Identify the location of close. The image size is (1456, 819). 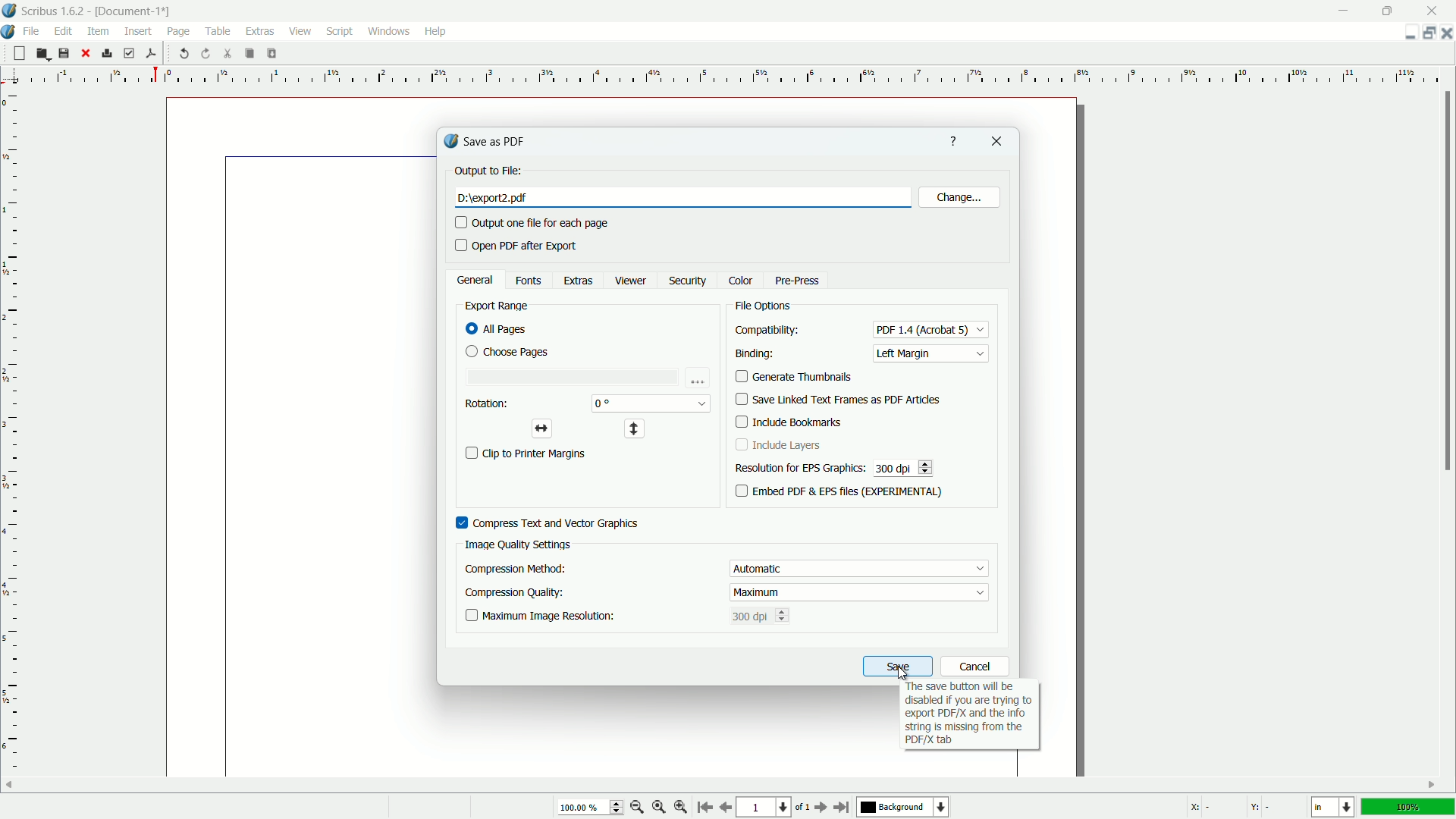
(86, 54).